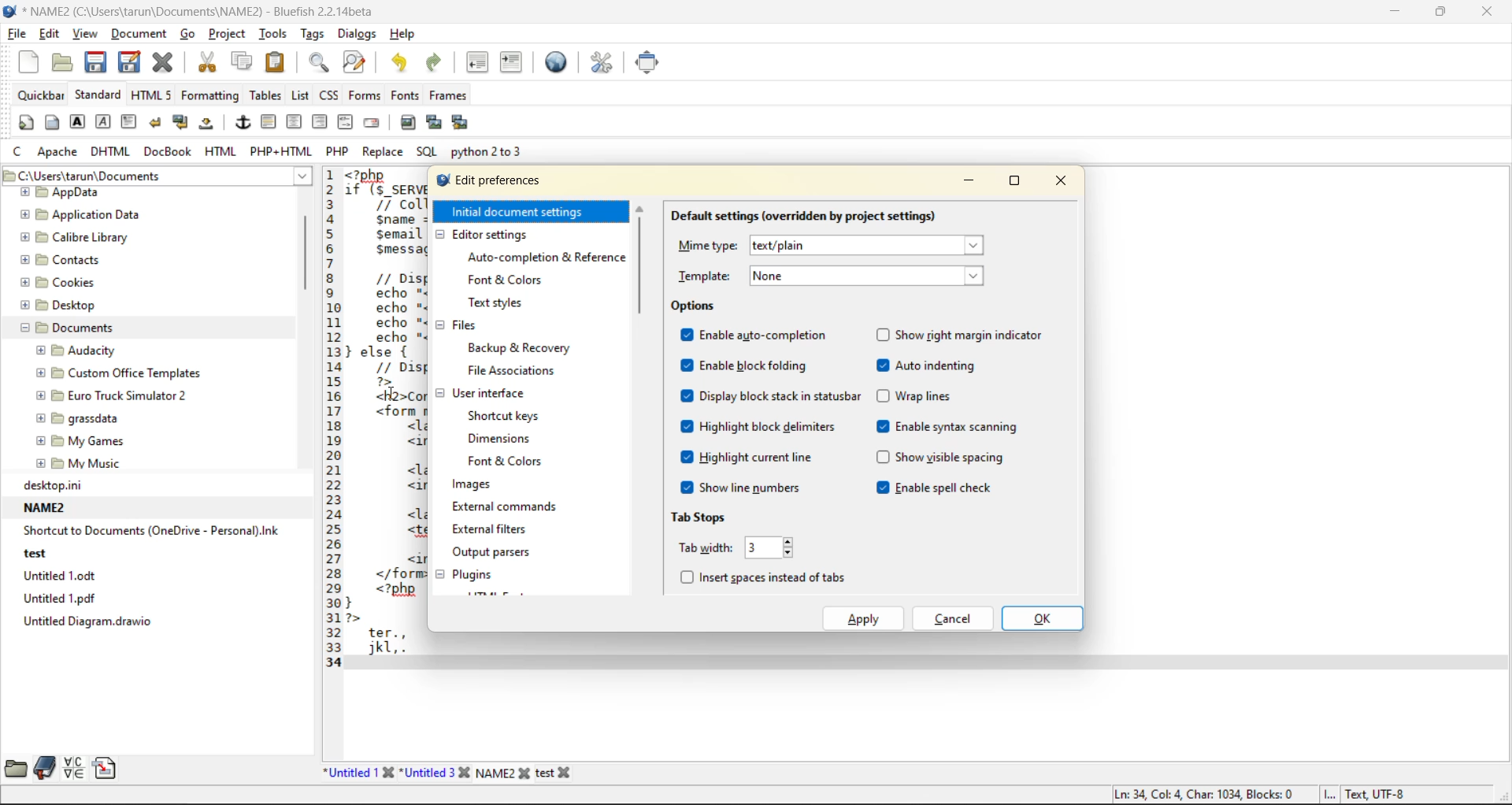  I want to click on formatting, so click(215, 97).